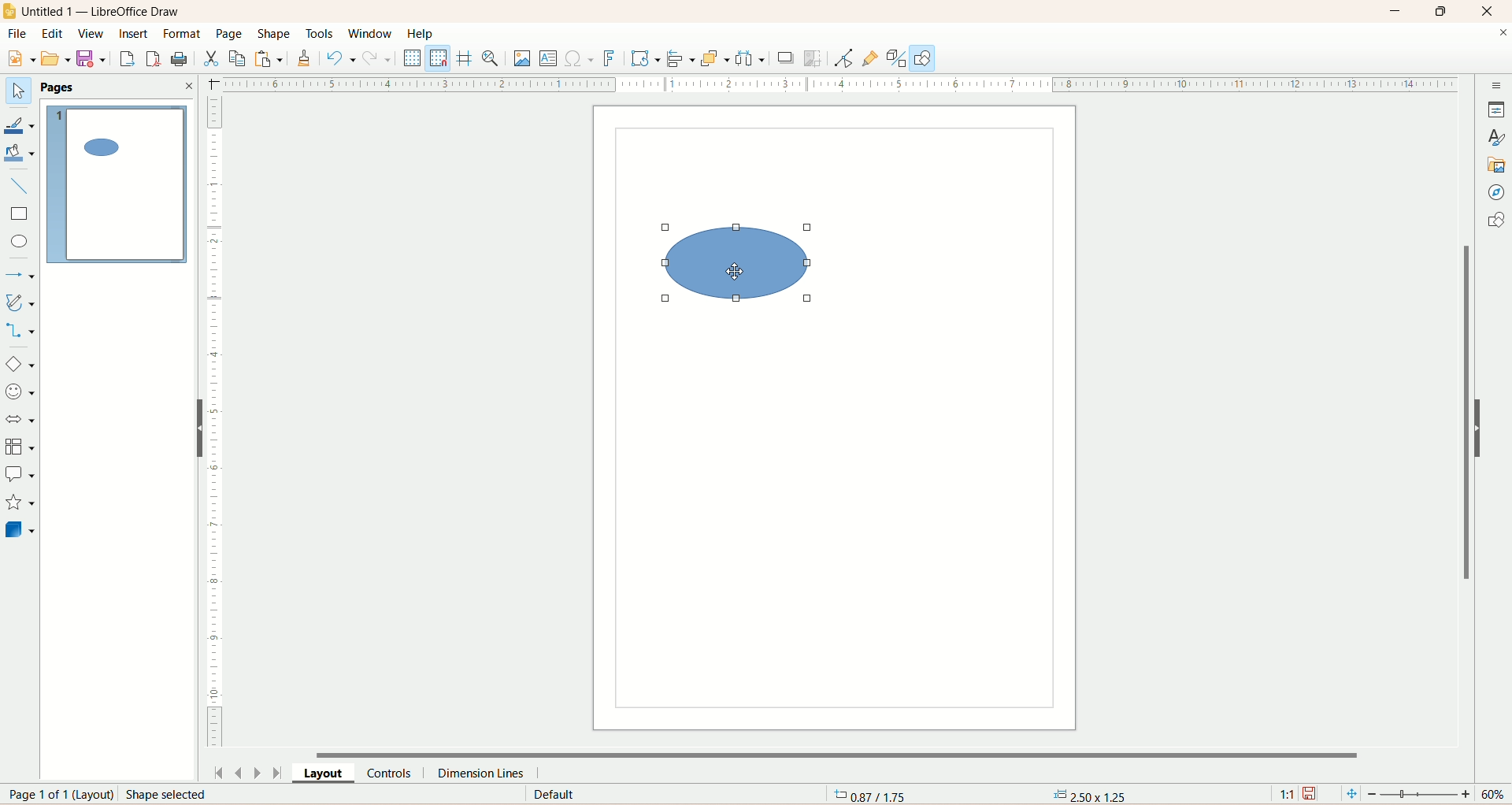 This screenshot has width=1512, height=805. Describe the element at coordinates (814, 58) in the screenshot. I see `crop image` at that location.